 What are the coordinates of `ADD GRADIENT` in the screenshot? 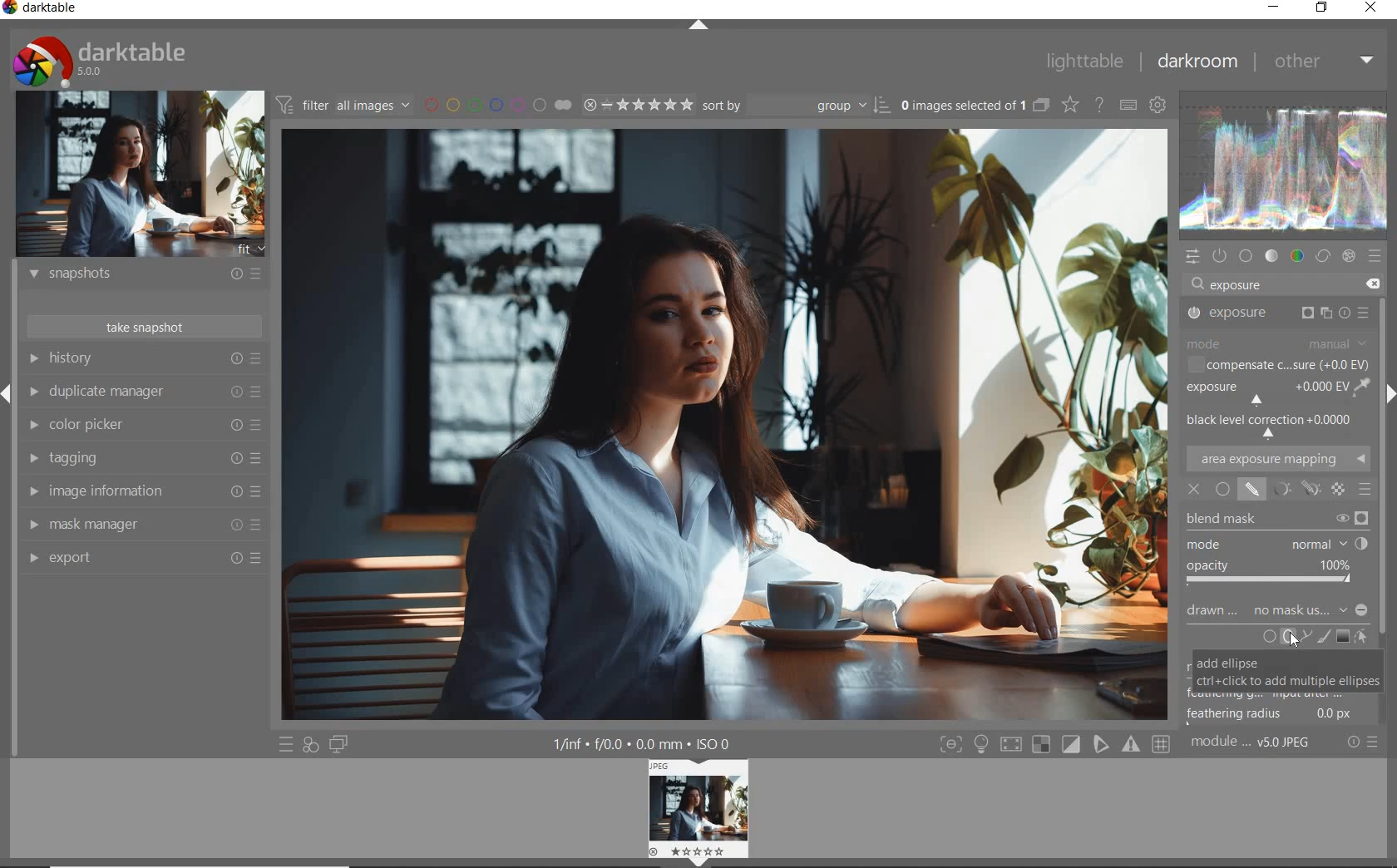 It's located at (1343, 637).